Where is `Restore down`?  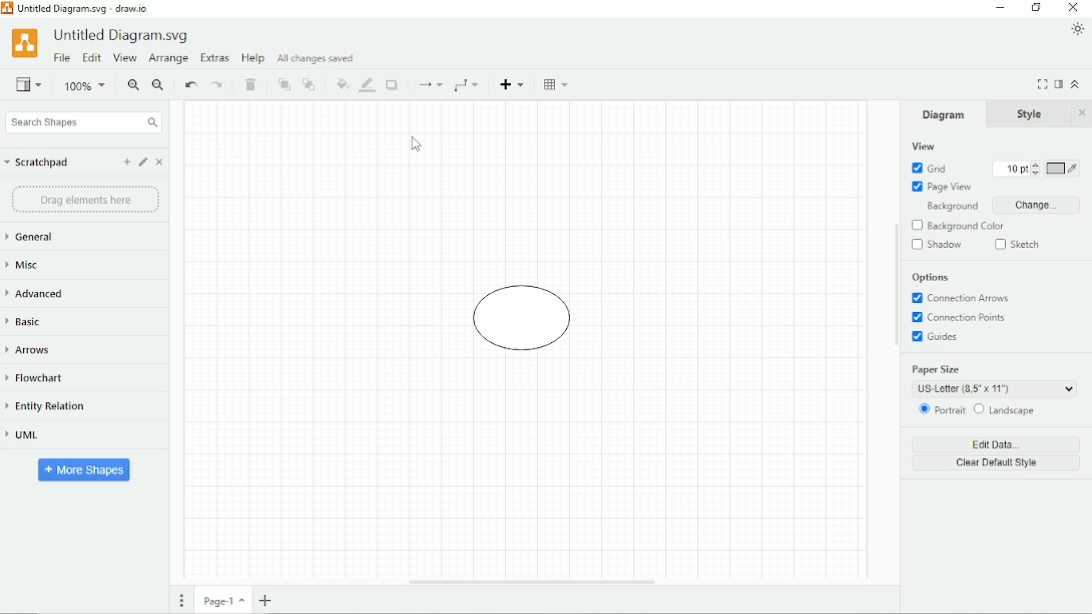
Restore down is located at coordinates (1036, 8).